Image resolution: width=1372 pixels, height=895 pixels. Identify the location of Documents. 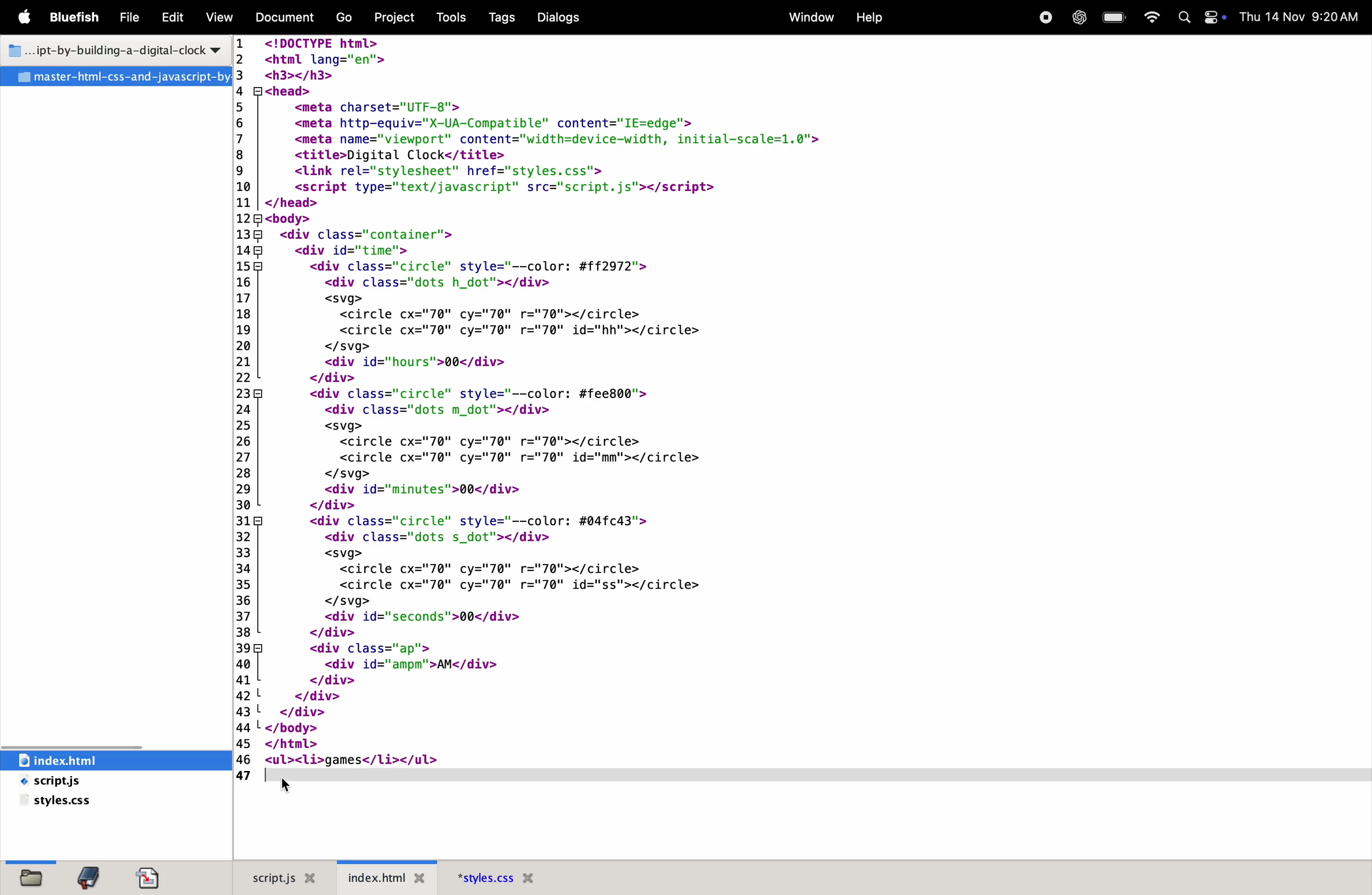
(287, 18).